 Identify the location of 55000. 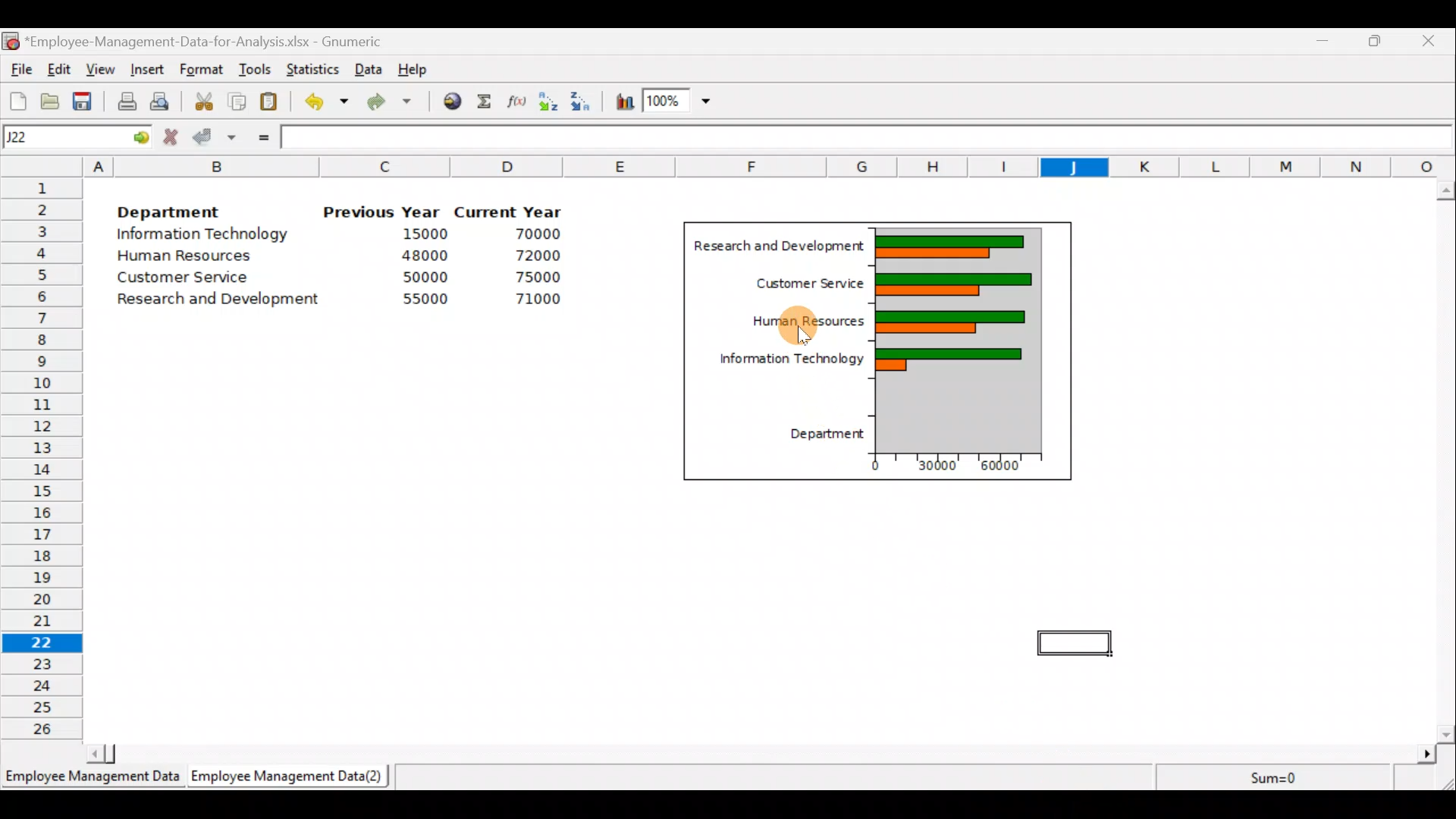
(423, 300).